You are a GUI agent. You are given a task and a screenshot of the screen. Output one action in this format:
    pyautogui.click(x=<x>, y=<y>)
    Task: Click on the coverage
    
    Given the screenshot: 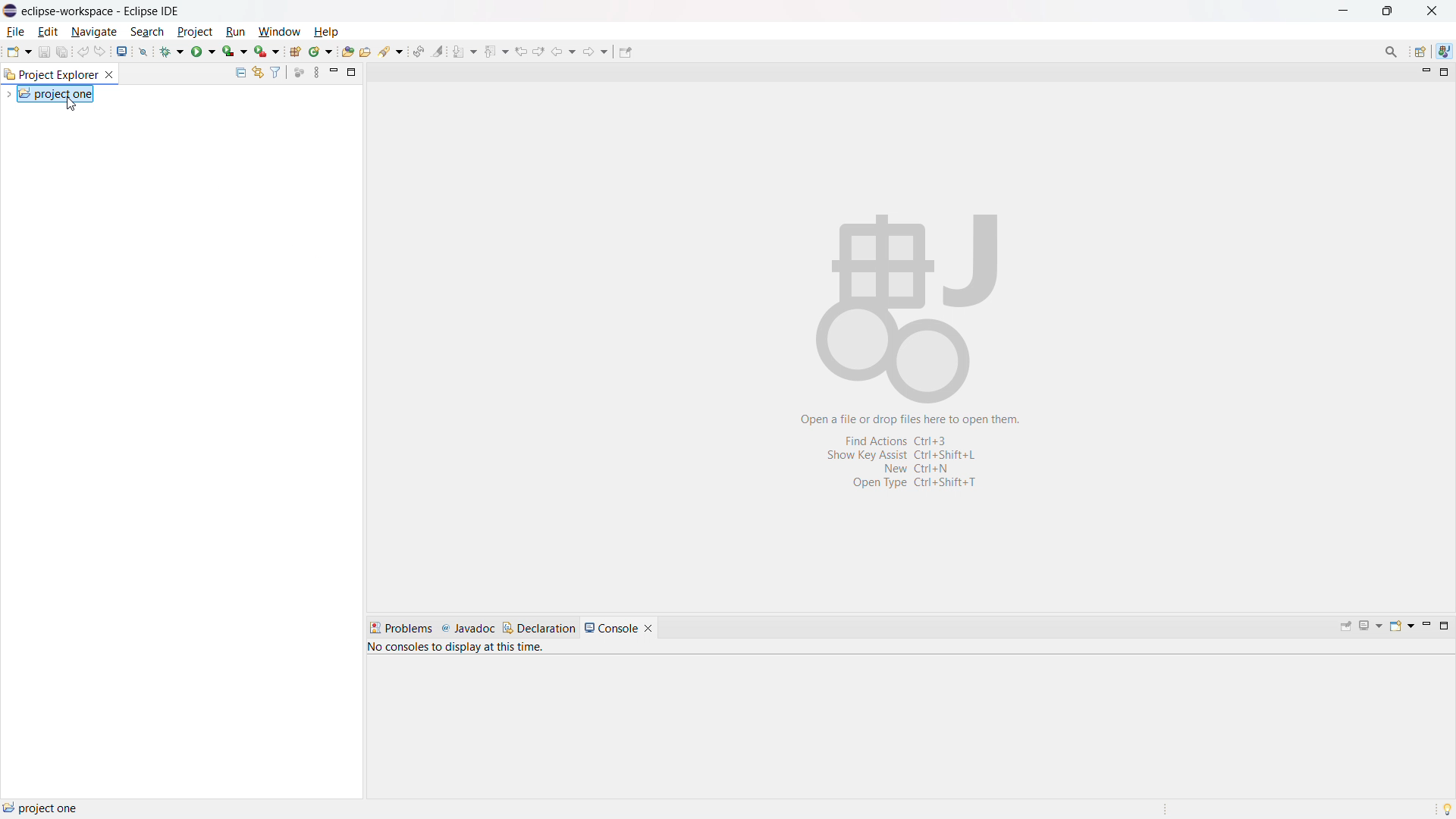 What is the action you would take?
    pyautogui.click(x=235, y=51)
    